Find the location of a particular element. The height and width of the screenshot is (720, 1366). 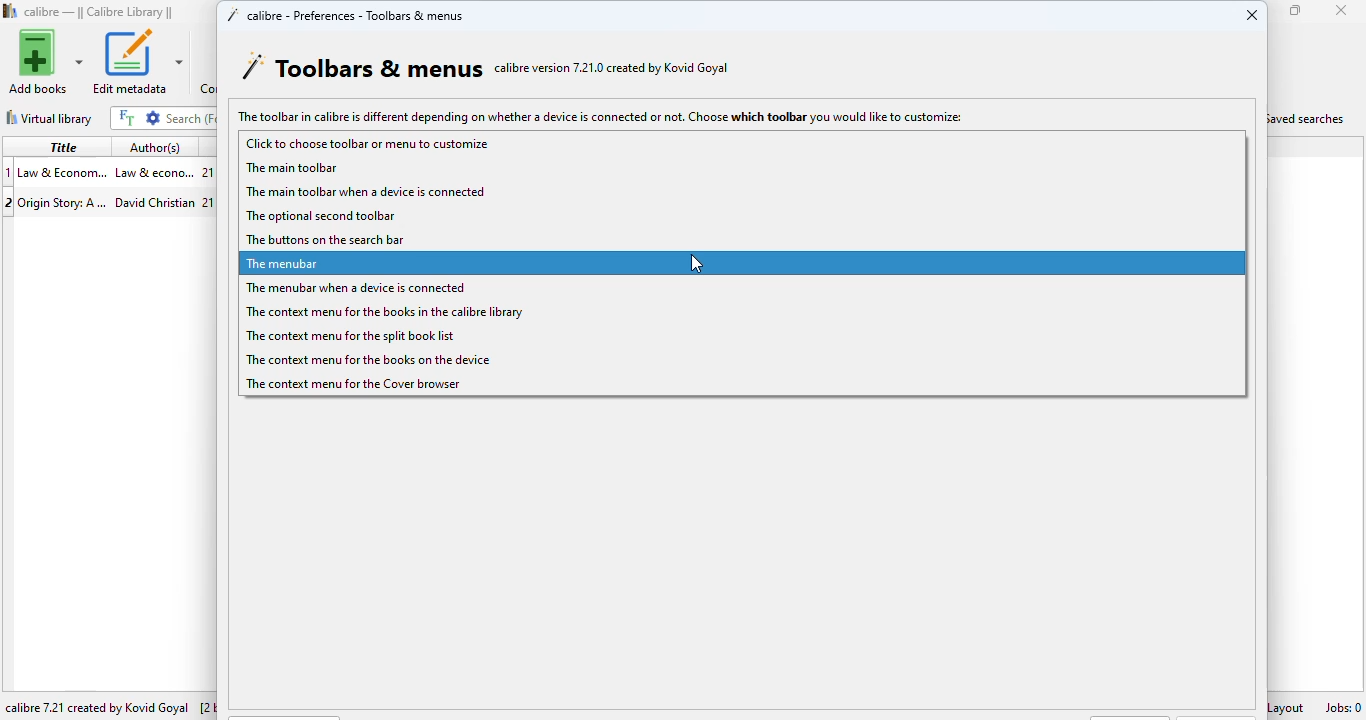

click to choose toolbar or menu to customize is located at coordinates (384, 142).